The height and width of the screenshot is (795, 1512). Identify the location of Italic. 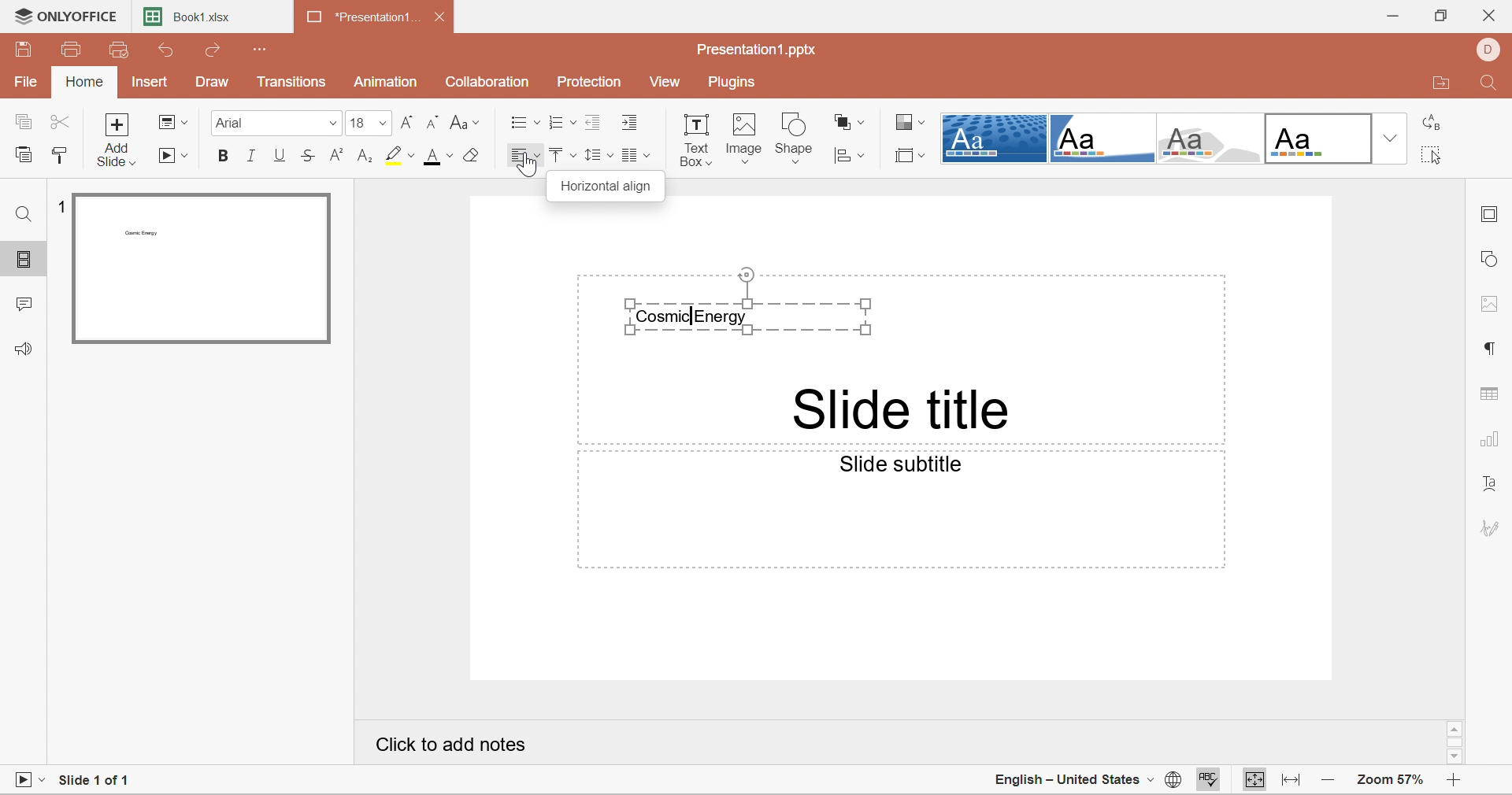
(251, 157).